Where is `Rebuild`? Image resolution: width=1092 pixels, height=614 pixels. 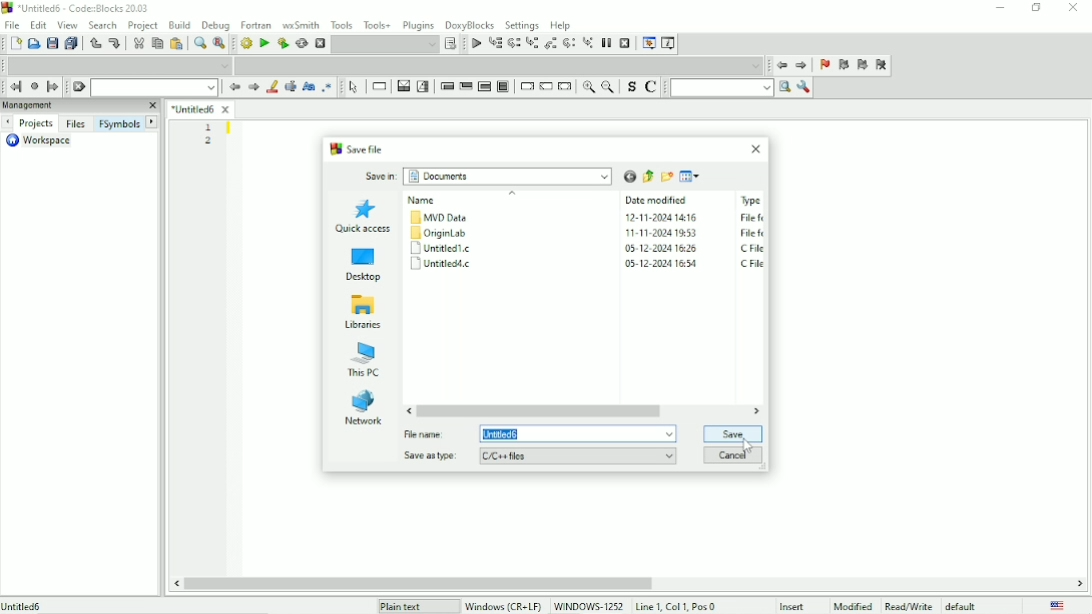 Rebuild is located at coordinates (302, 44).